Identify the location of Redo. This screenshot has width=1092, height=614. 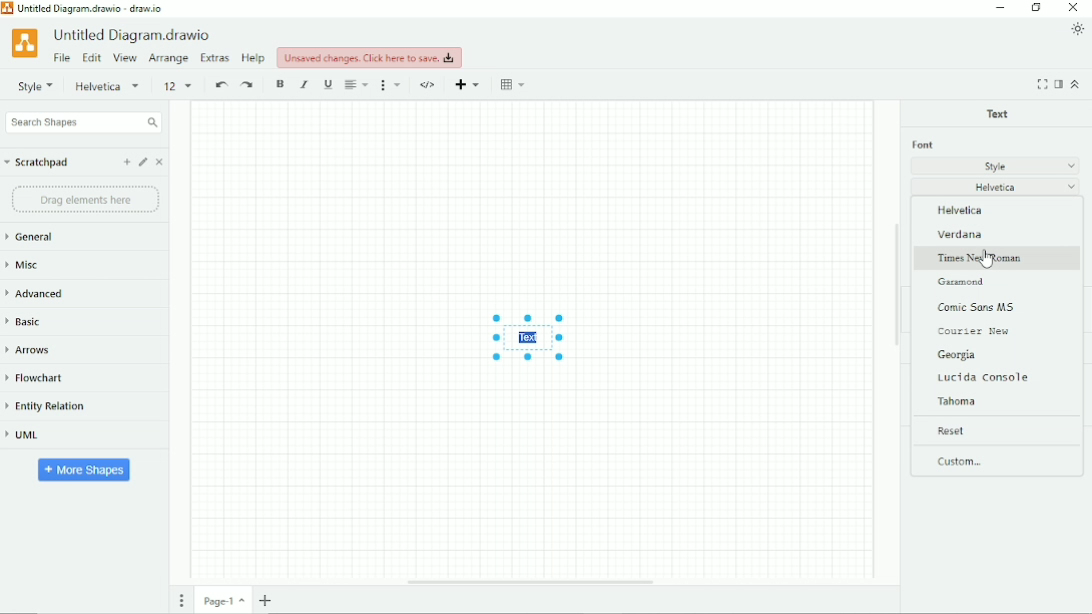
(250, 85).